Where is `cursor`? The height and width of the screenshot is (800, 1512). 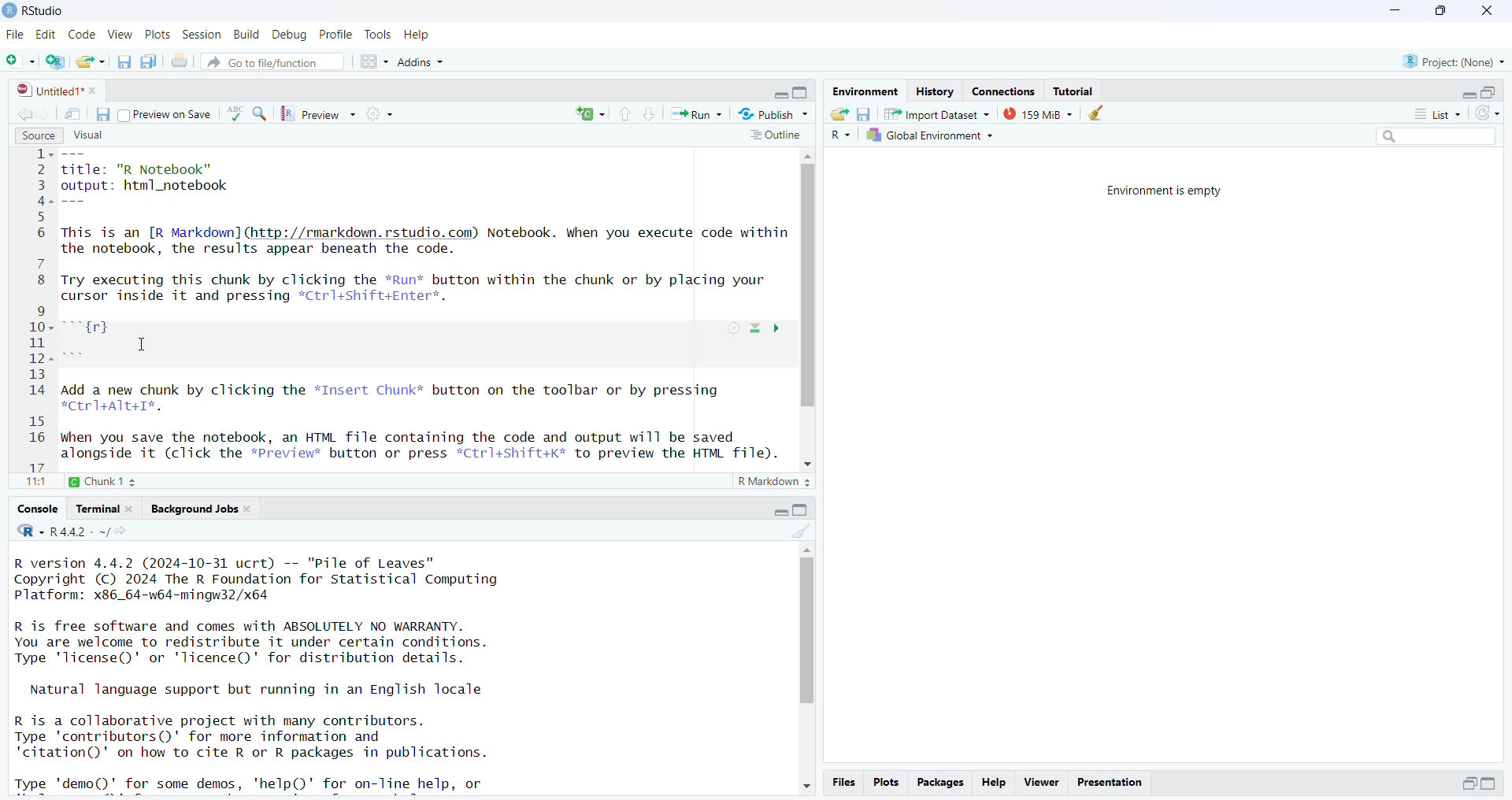 cursor is located at coordinates (141, 345).